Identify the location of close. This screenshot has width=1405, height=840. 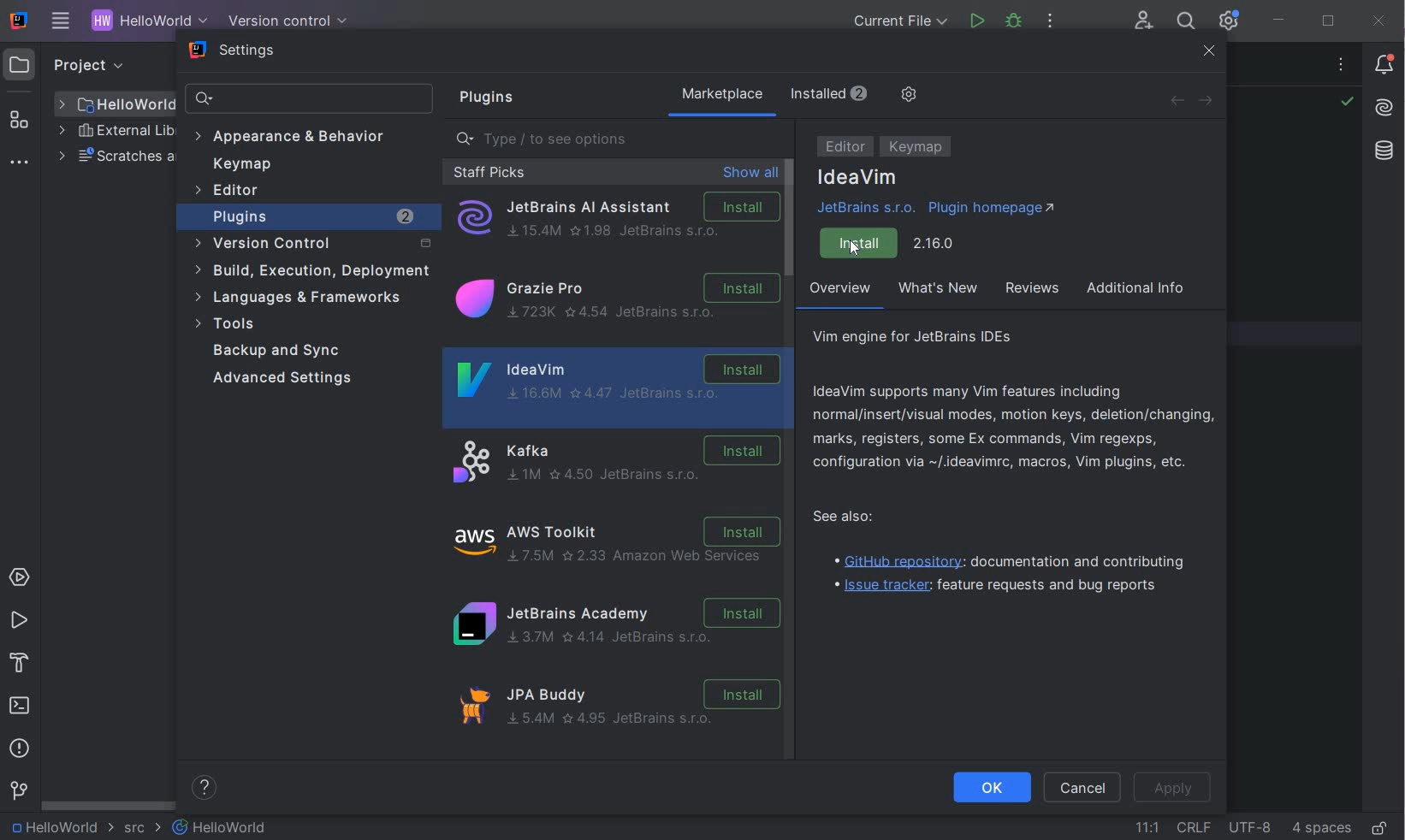
(1210, 53).